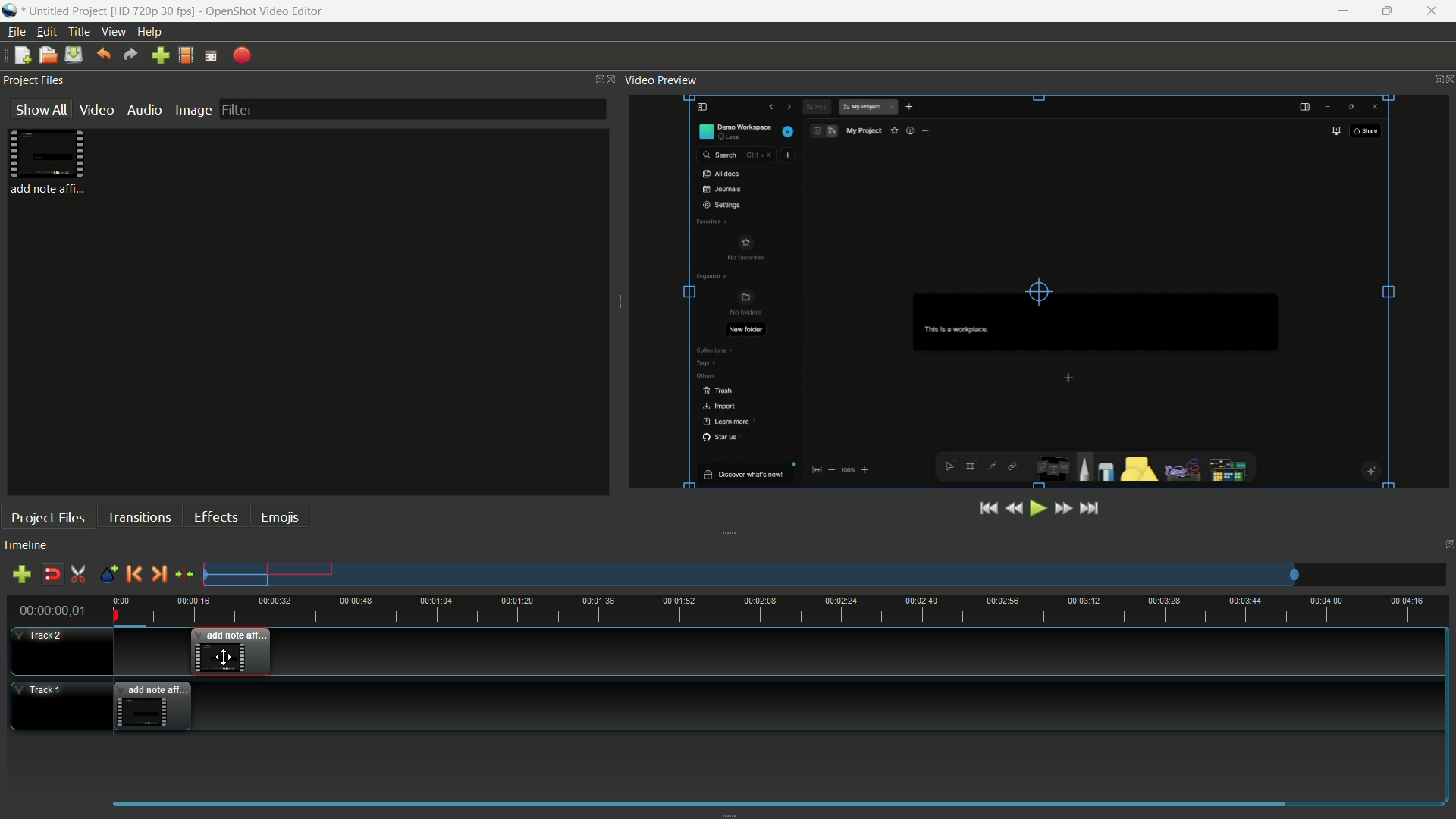 Image resolution: width=1456 pixels, height=819 pixels. I want to click on edit menu, so click(48, 32).